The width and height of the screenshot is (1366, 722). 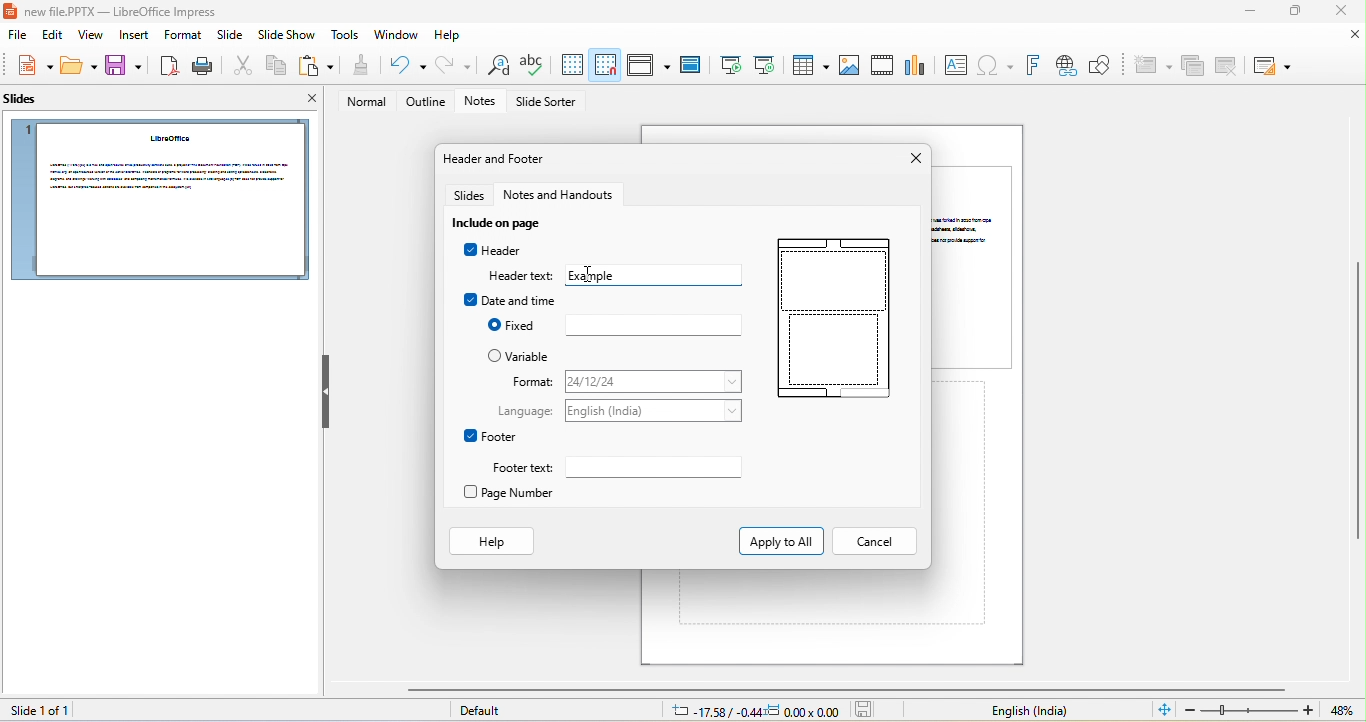 What do you see at coordinates (606, 64) in the screenshot?
I see `snap to grid` at bounding box center [606, 64].